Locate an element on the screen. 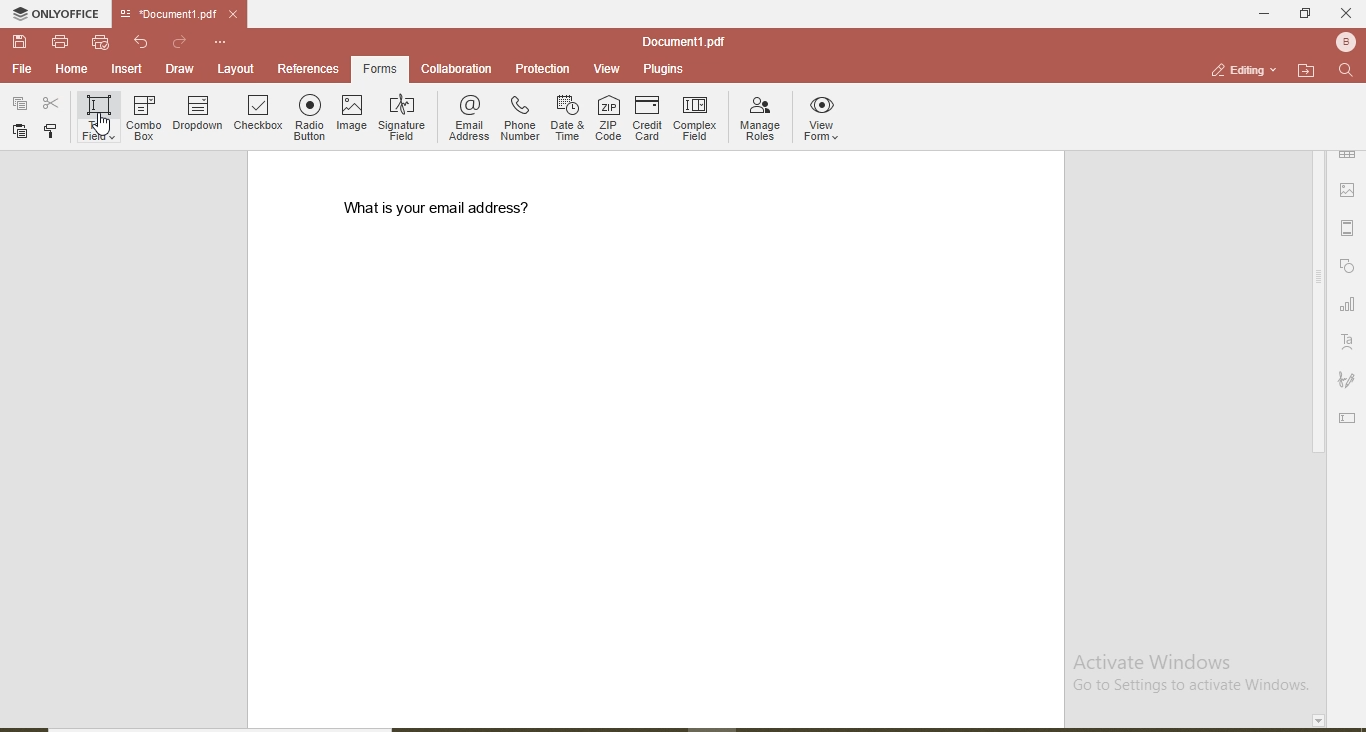  dropdown is located at coordinates (198, 117).